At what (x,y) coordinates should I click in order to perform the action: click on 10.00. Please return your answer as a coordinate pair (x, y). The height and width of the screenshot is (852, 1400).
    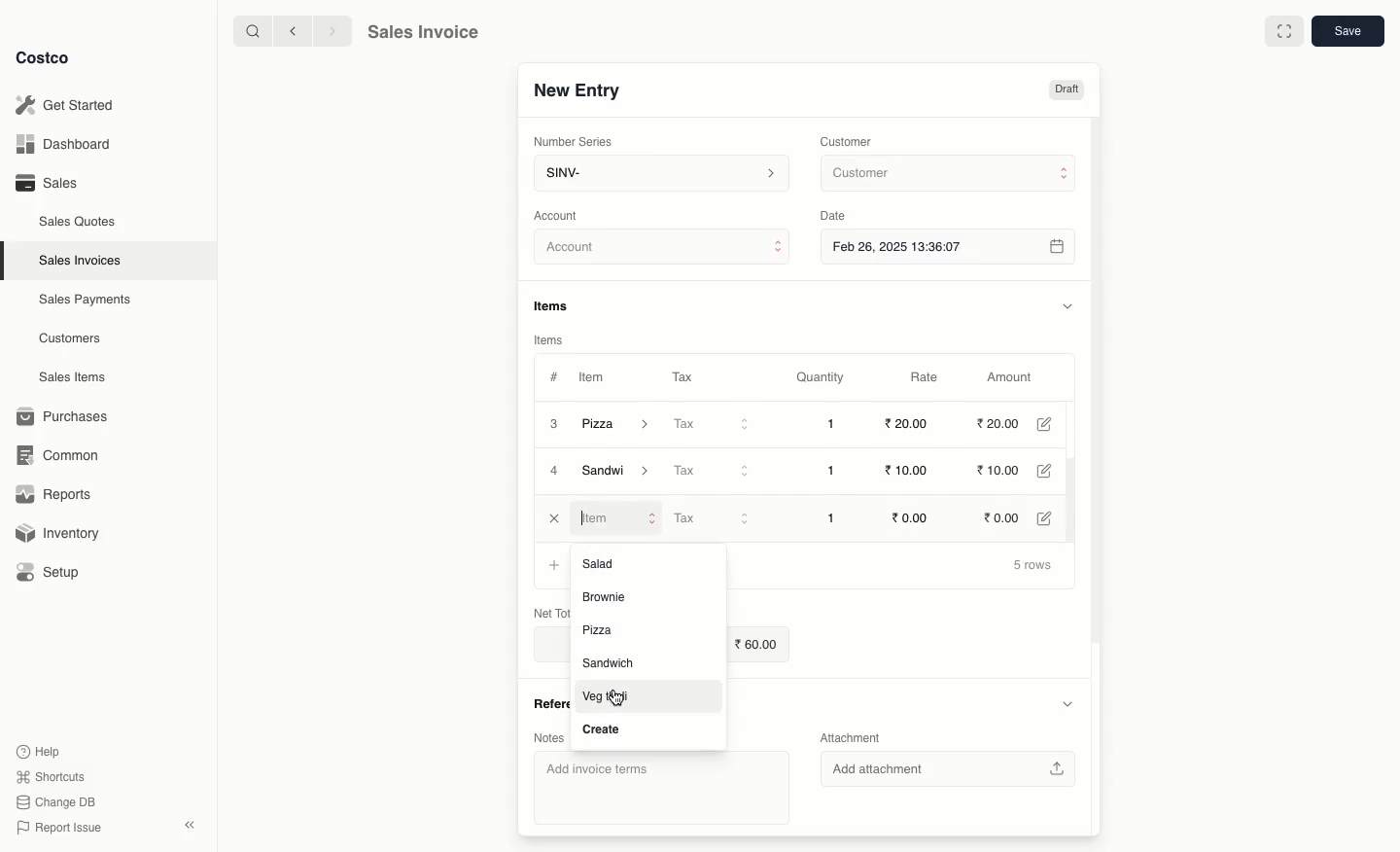
    Looking at the image, I should click on (1007, 472).